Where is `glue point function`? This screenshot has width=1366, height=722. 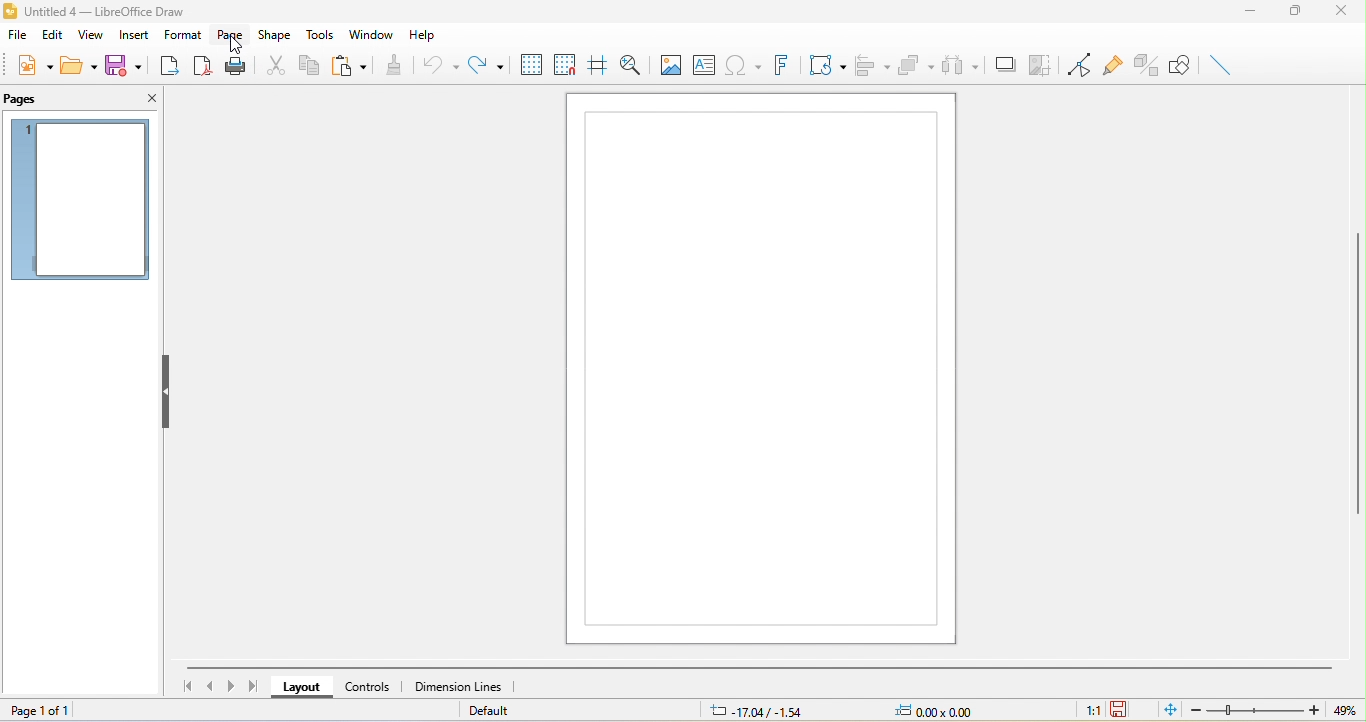 glue point function is located at coordinates (1113, 62).